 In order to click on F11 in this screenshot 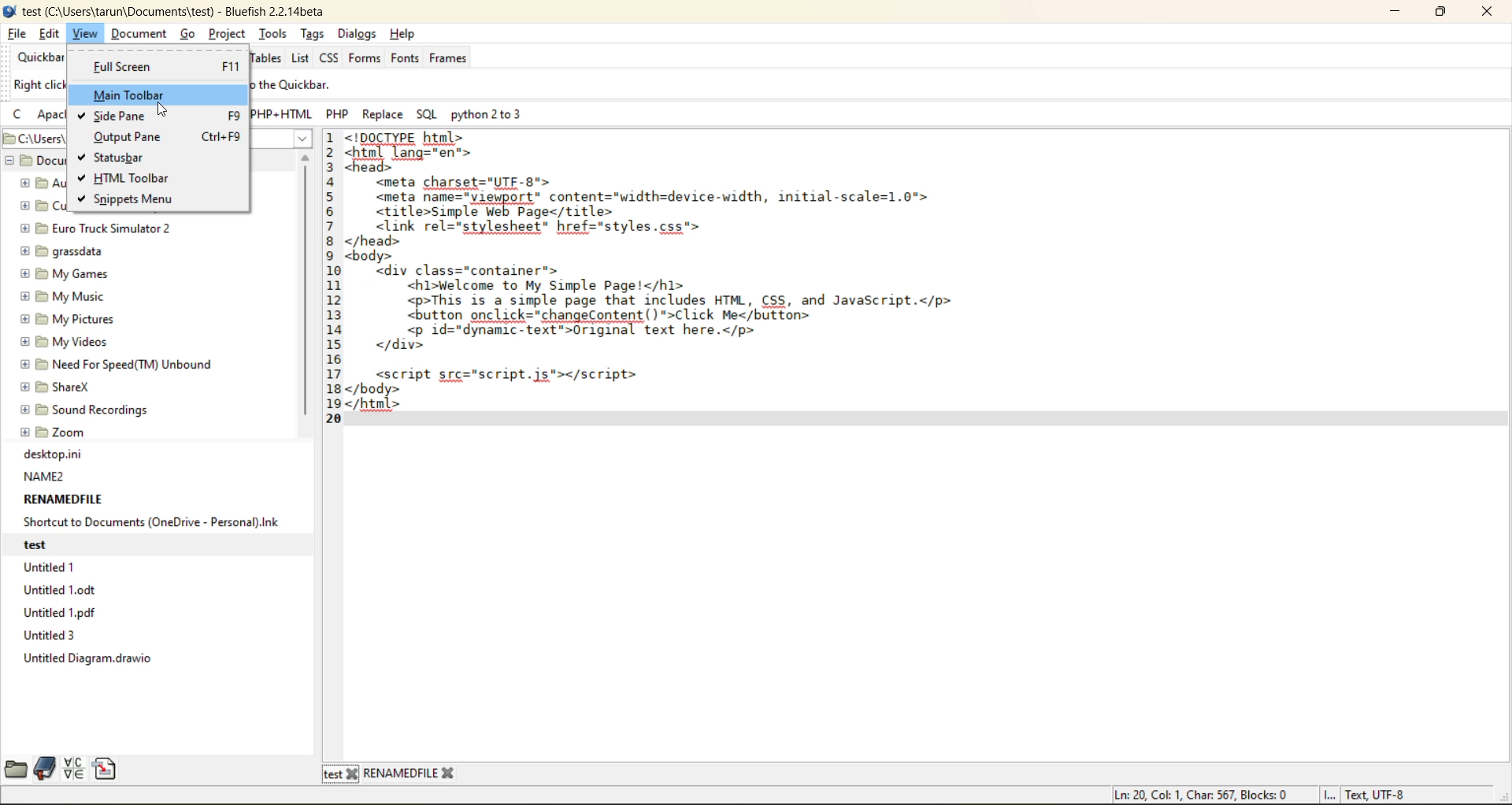, I will do `click(228, 69)`.